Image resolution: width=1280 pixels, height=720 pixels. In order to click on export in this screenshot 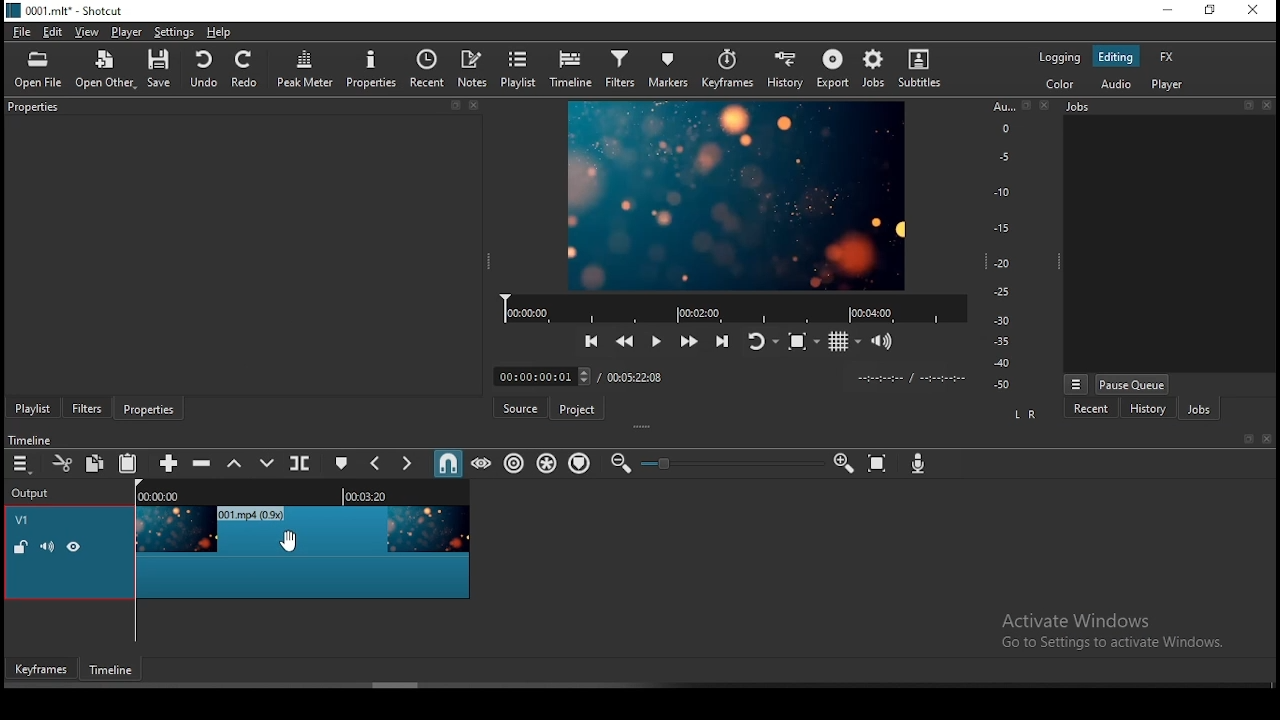, I will do `click(829, 69)`.